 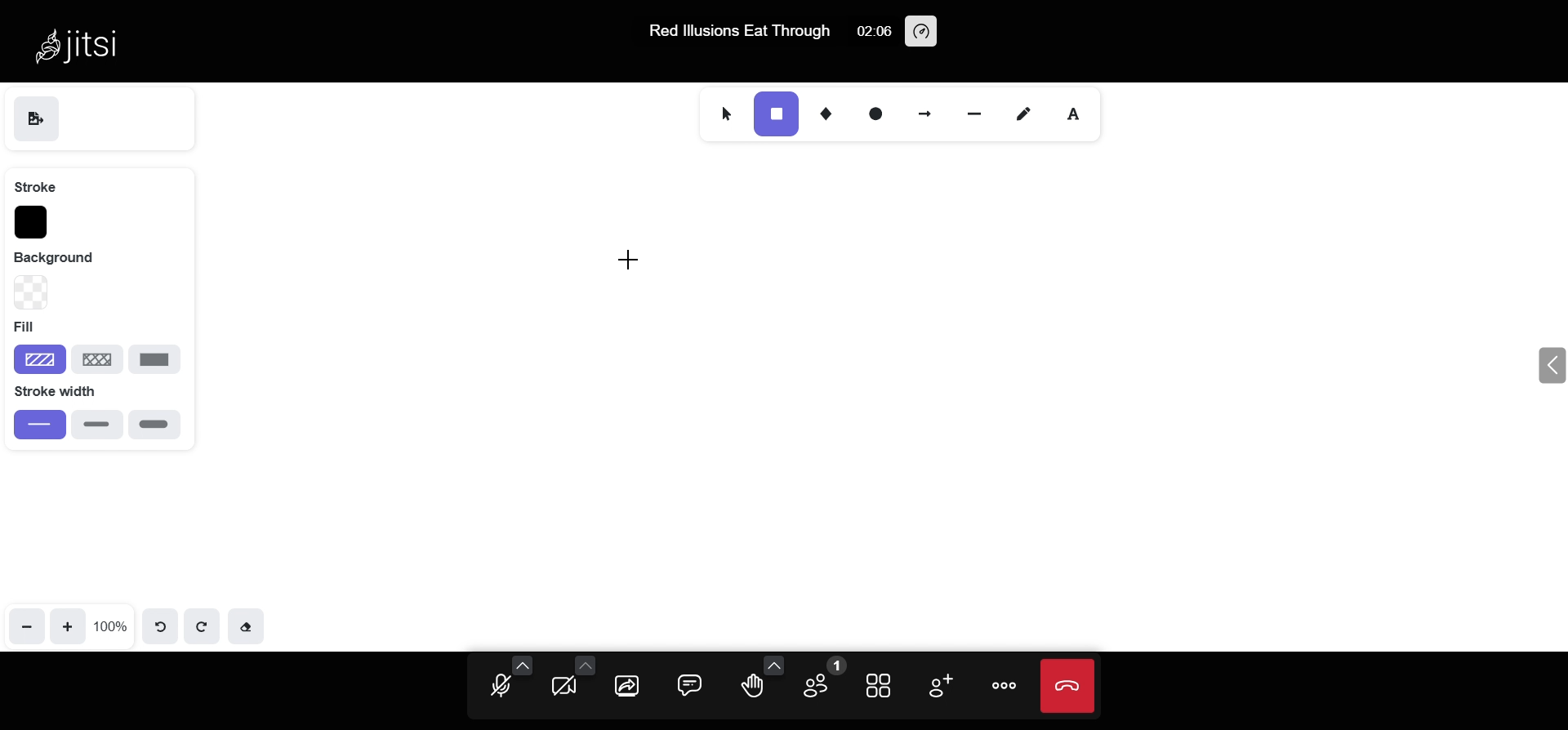 What do you see at coordinates (83, 44) in the screenshot?
I see `Jitsi` at bounding box center [83, 44].